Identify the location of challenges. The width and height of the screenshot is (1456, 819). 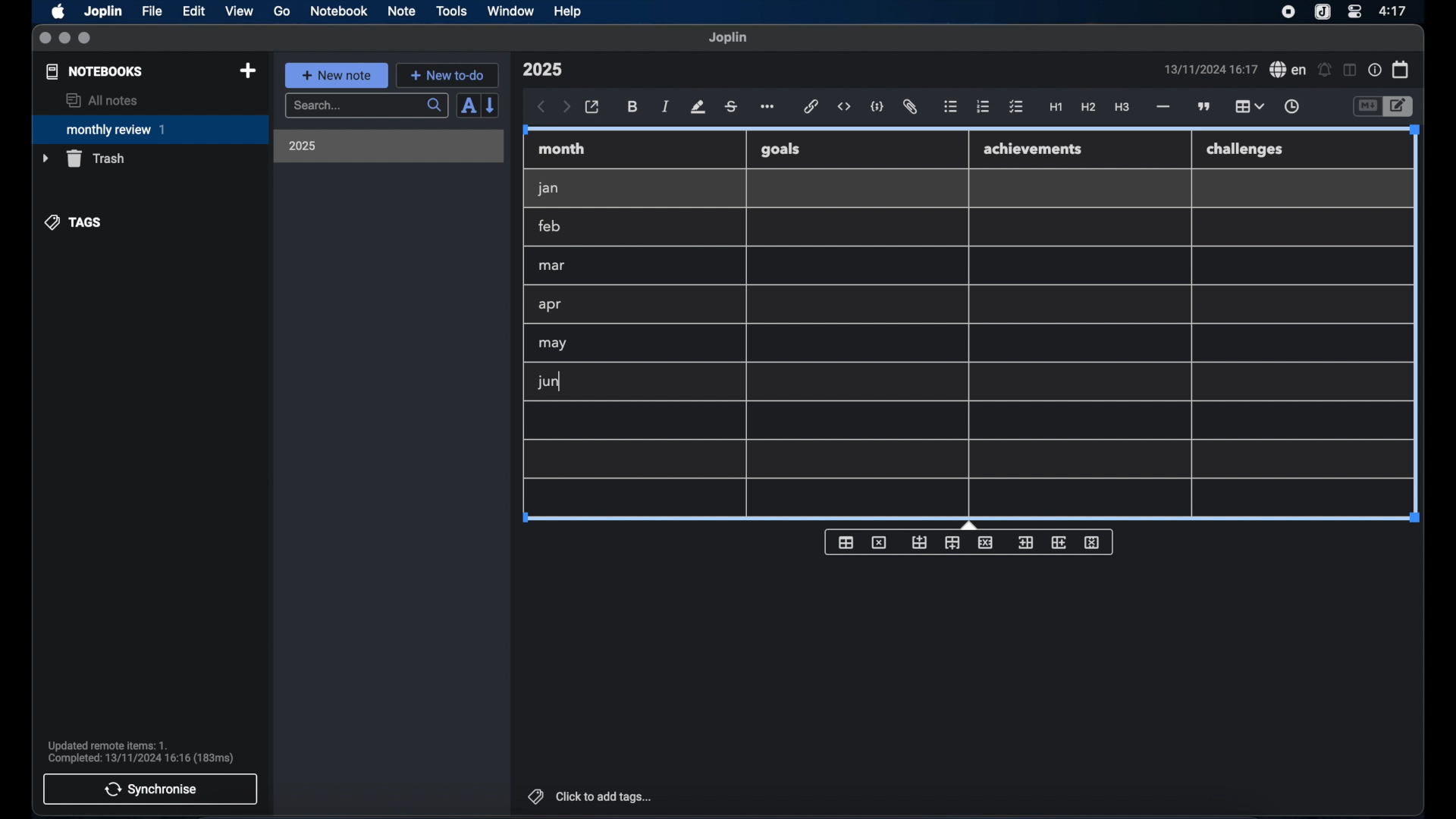
(1246, 150).